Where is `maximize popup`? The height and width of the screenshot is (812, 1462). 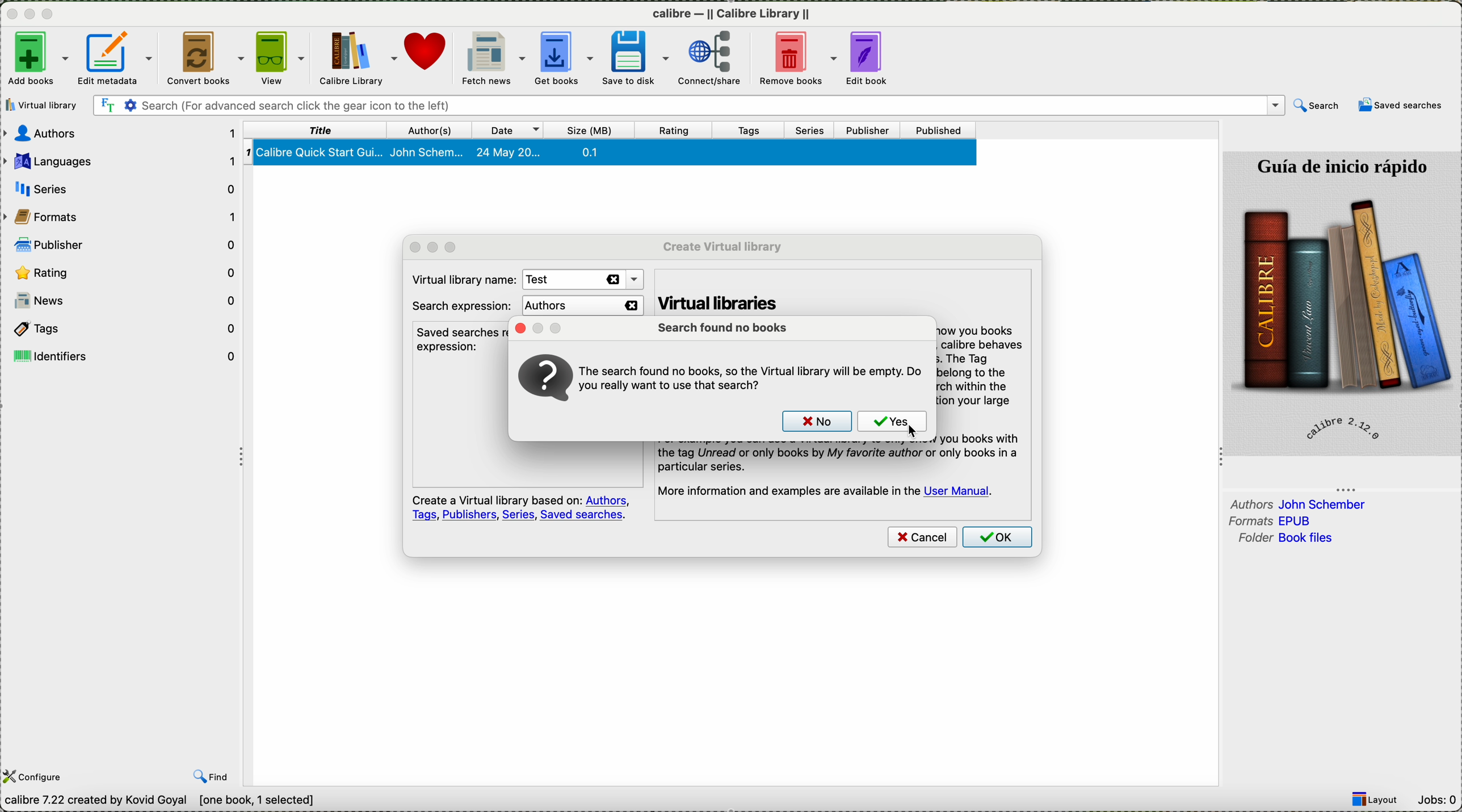 maximize popup is located at coordinates (456, 247).